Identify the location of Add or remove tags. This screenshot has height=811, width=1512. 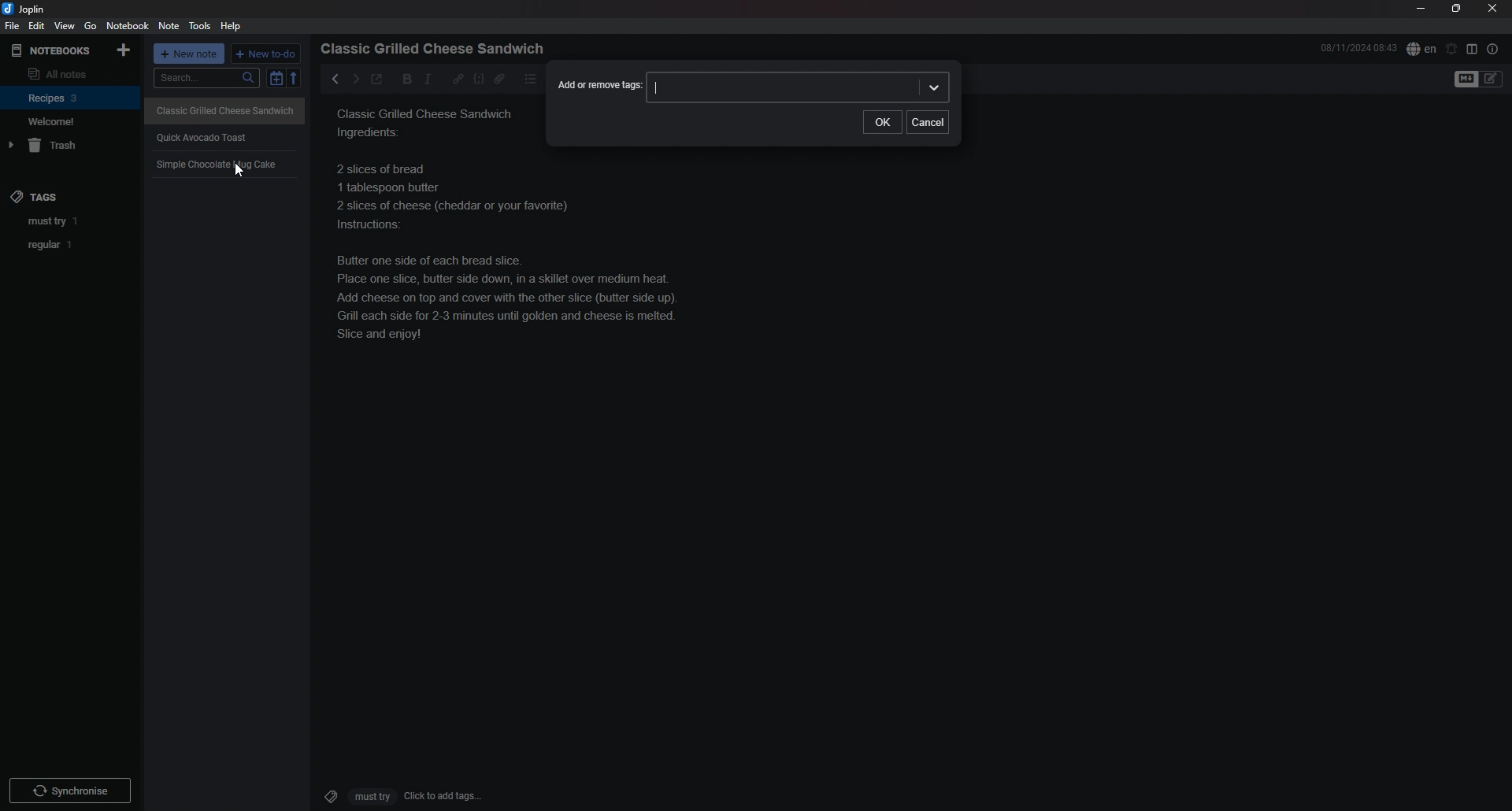
(597, 85).